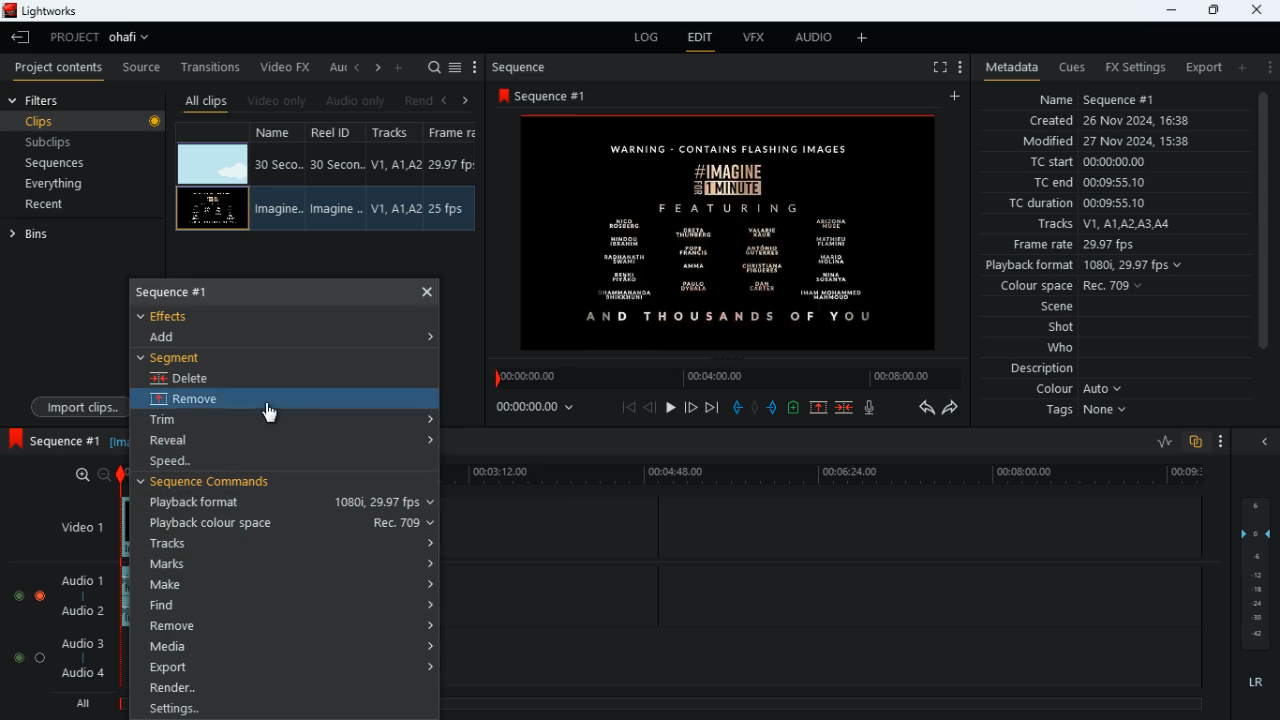  I want to click on playback colour space, so click(291, 524).